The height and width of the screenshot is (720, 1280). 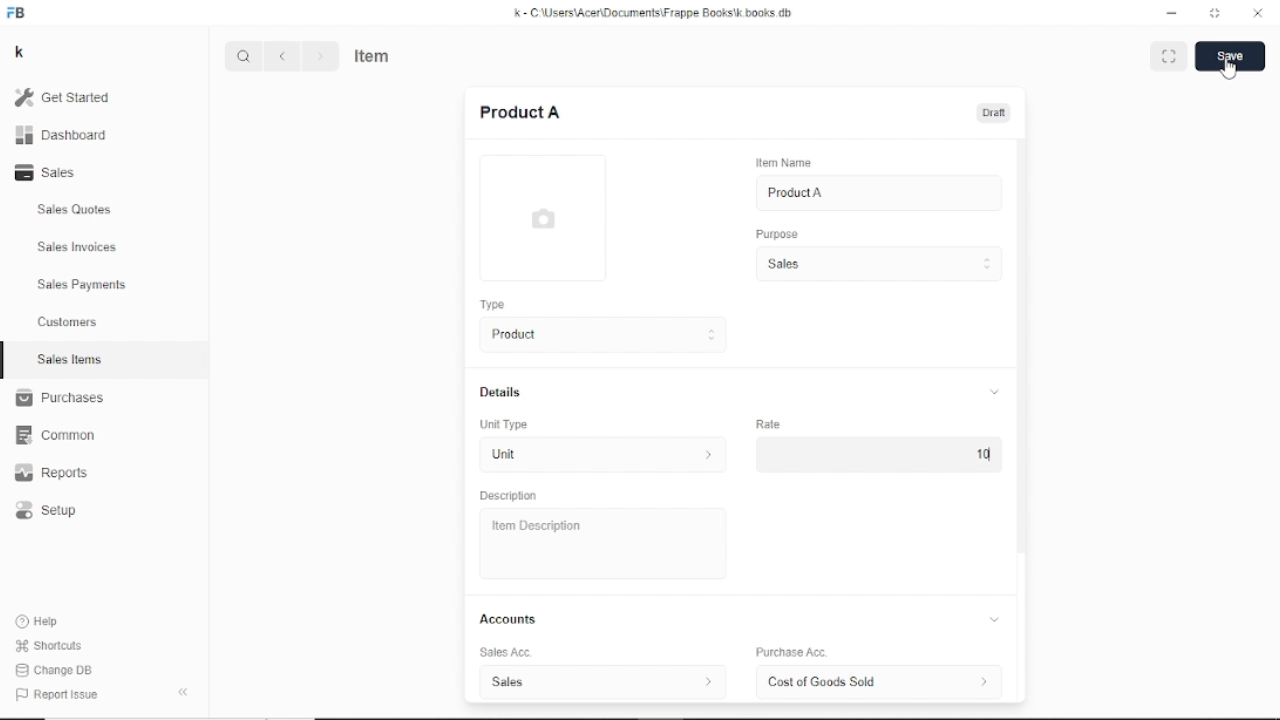 What do you see at coordinates (51, 172) in the screenshot?
I see `Sales` at bounding box center [51, 172].